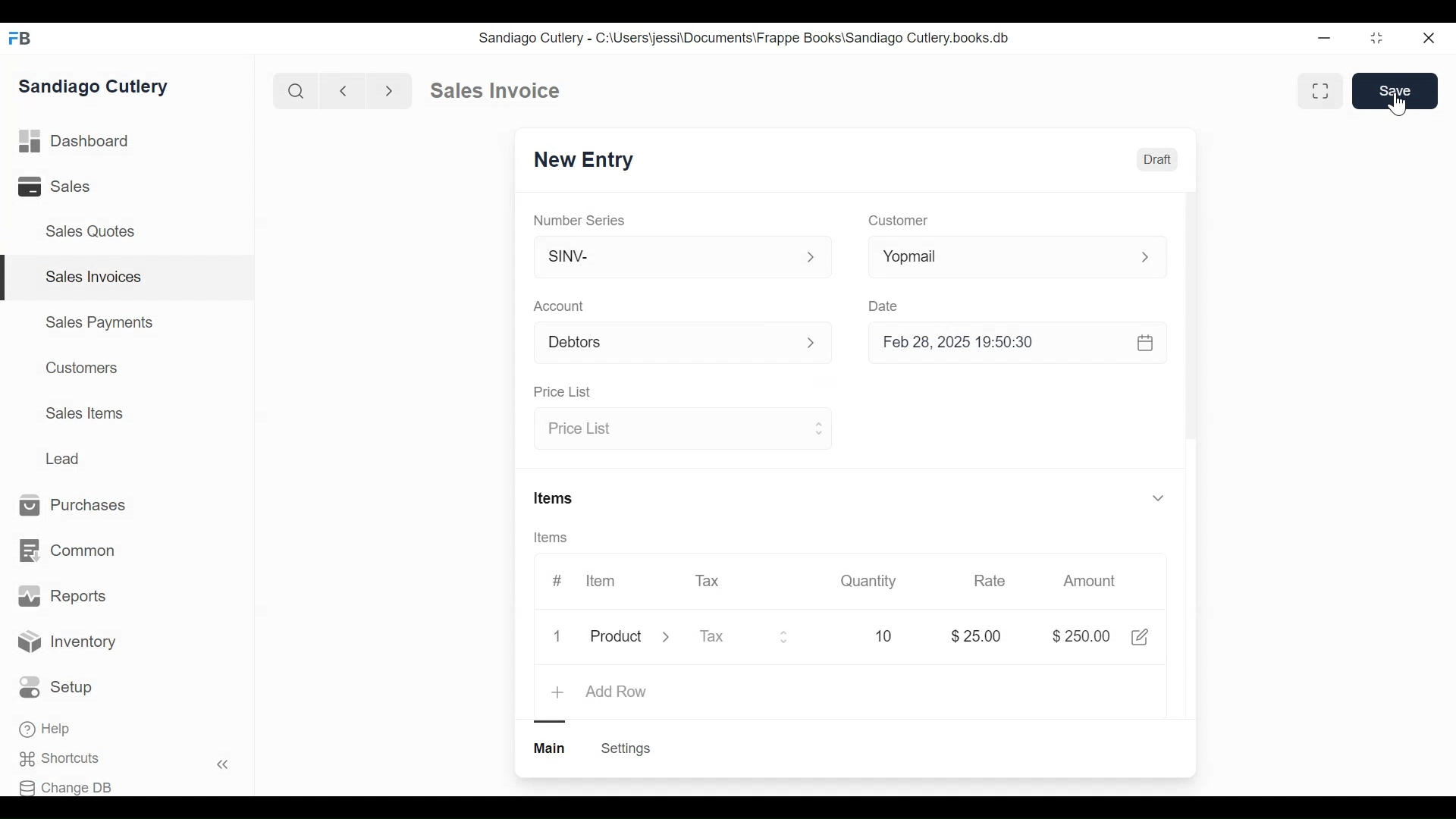 Image resolution: width=1456 pixels, height=819 pixels. What do you see at coordinates (78, 368) in the screenshot?
I see `Customers` at bounding box center [78, 368].